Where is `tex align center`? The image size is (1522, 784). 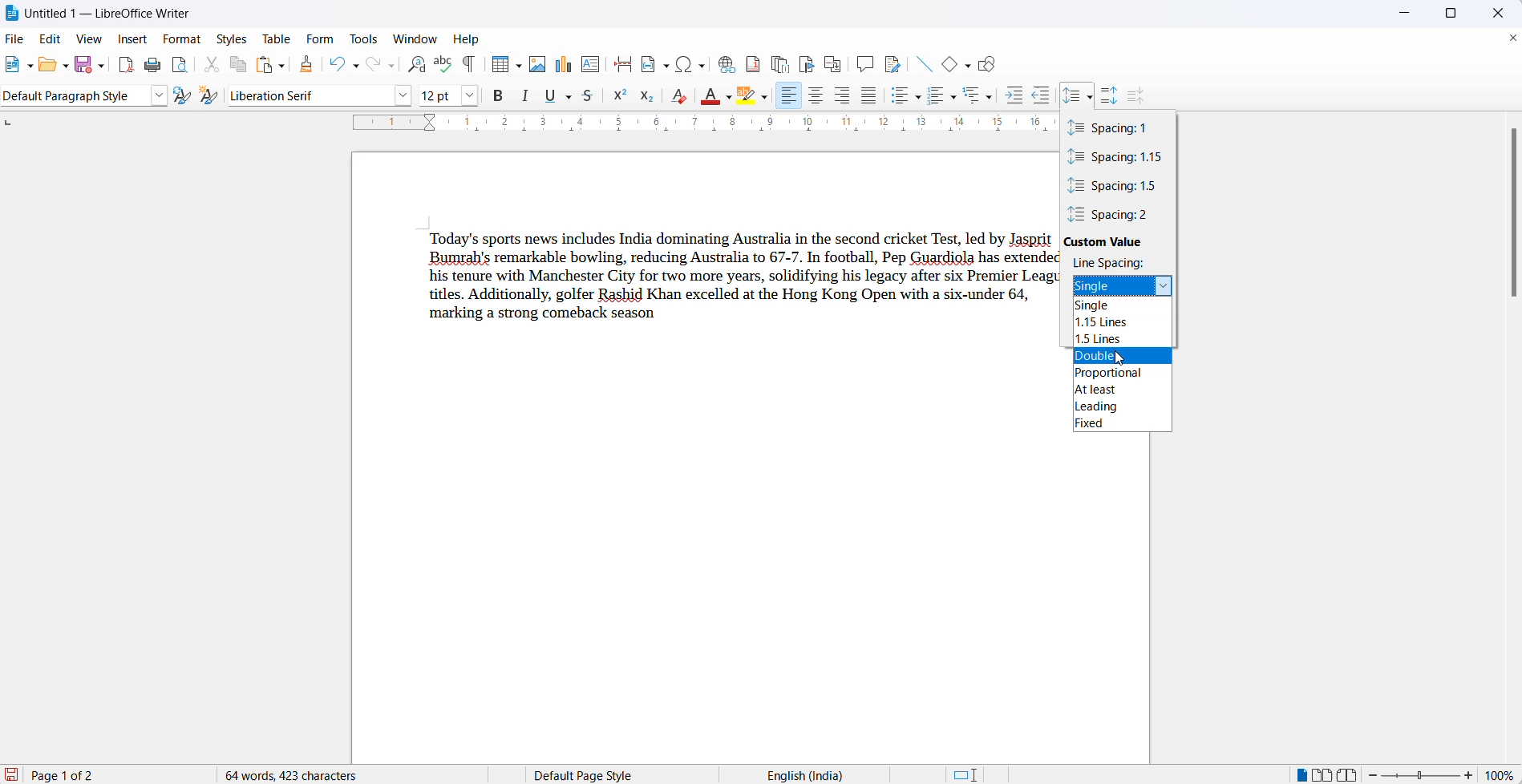
tex align center is located at coordinates (815, 97).